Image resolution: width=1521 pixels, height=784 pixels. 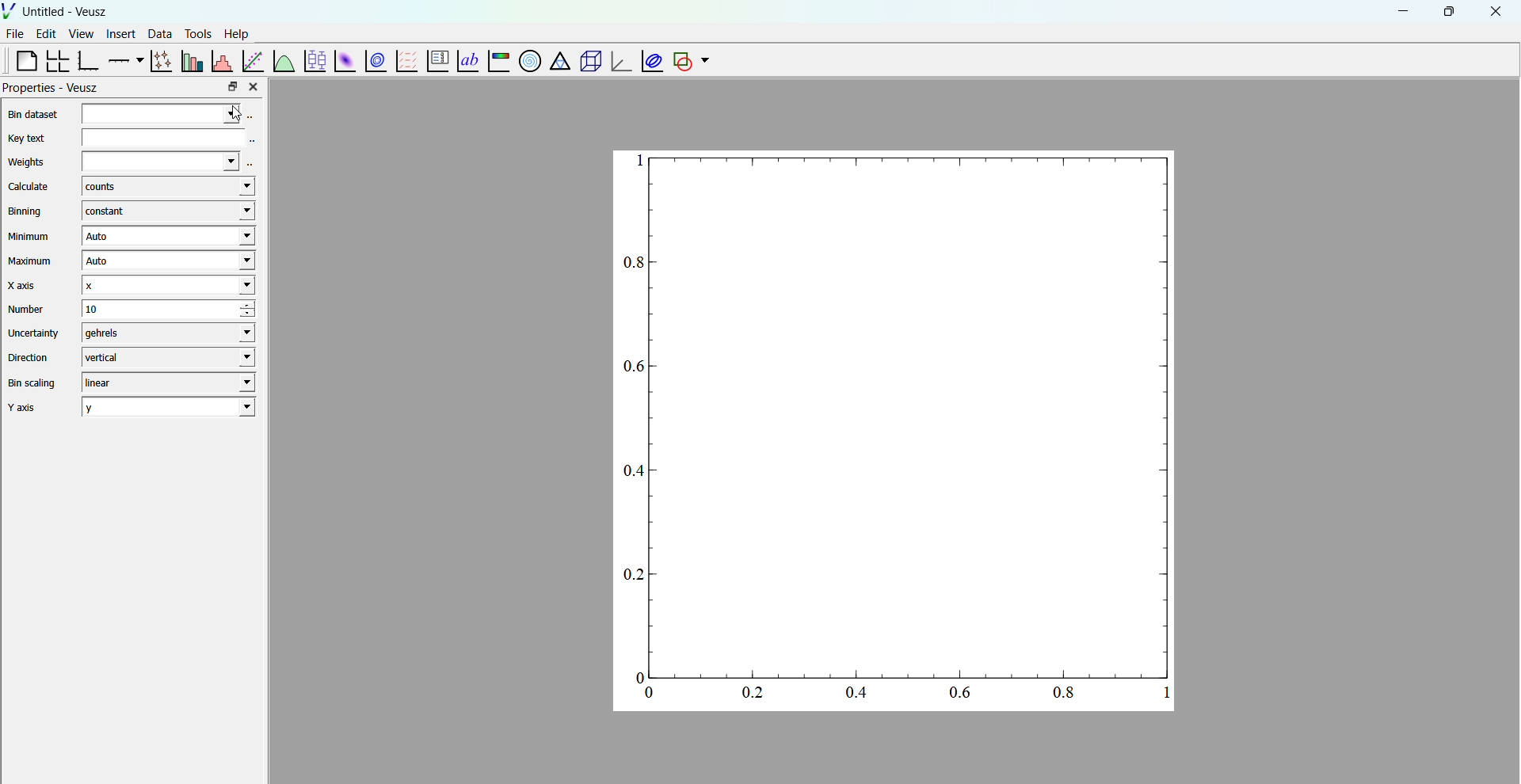 What do you see at coordinates (172, 407) in the screenshot?
I see `y - y axis drop down` at bounding box center [172, 407].